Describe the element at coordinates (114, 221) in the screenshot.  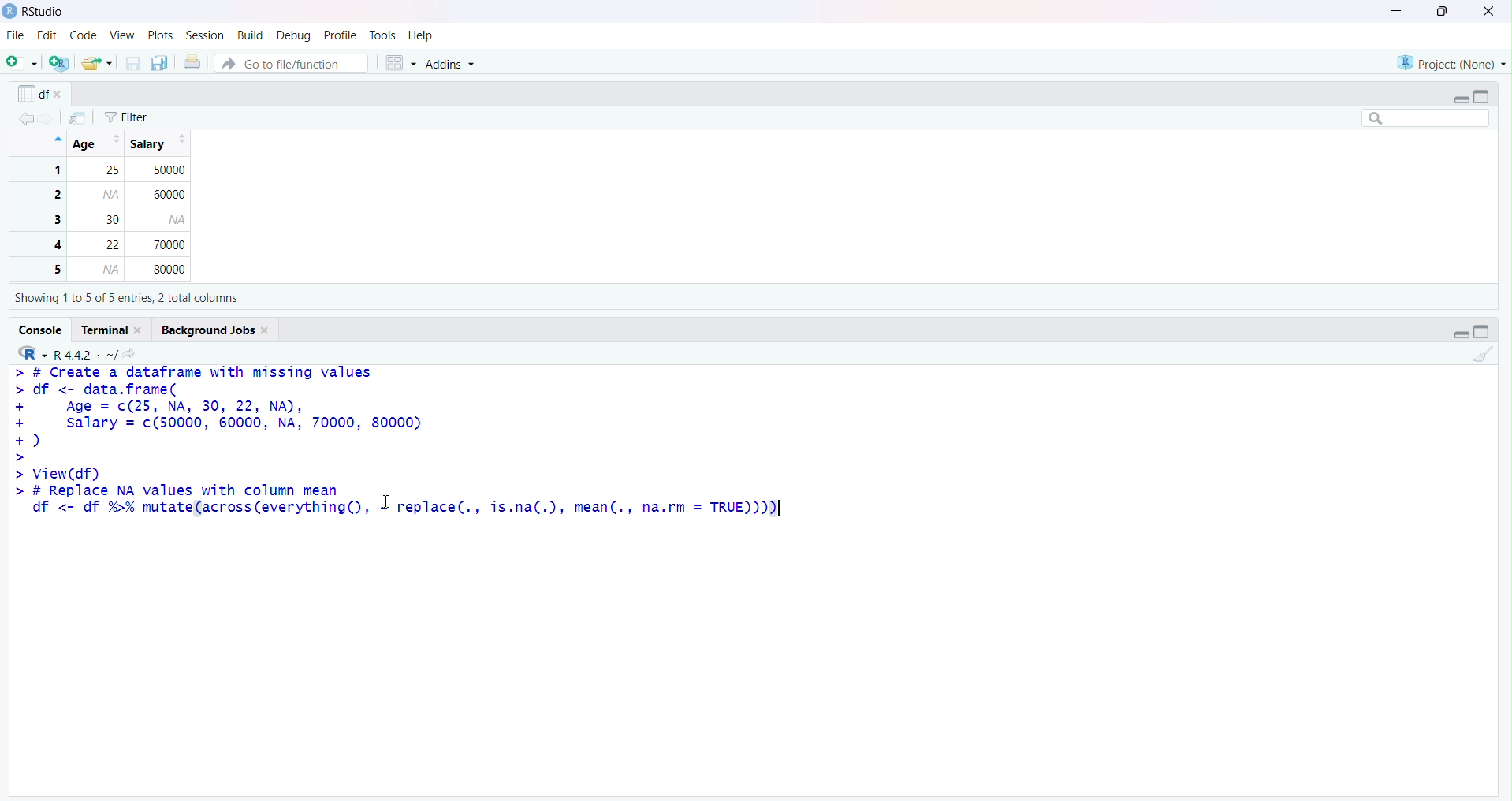
I see `1 25 50000
2 60000
3 30

4 22 70000
5 80000` at that location.